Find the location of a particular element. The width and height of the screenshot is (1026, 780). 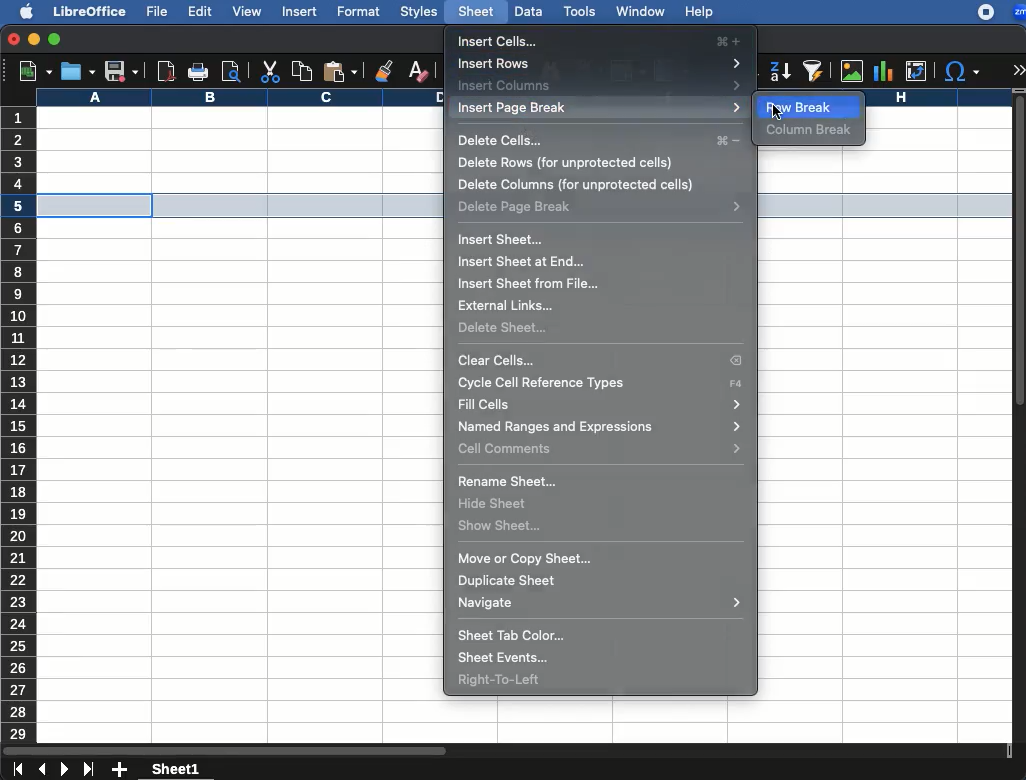

print preview is located at coordinates (233, 71).